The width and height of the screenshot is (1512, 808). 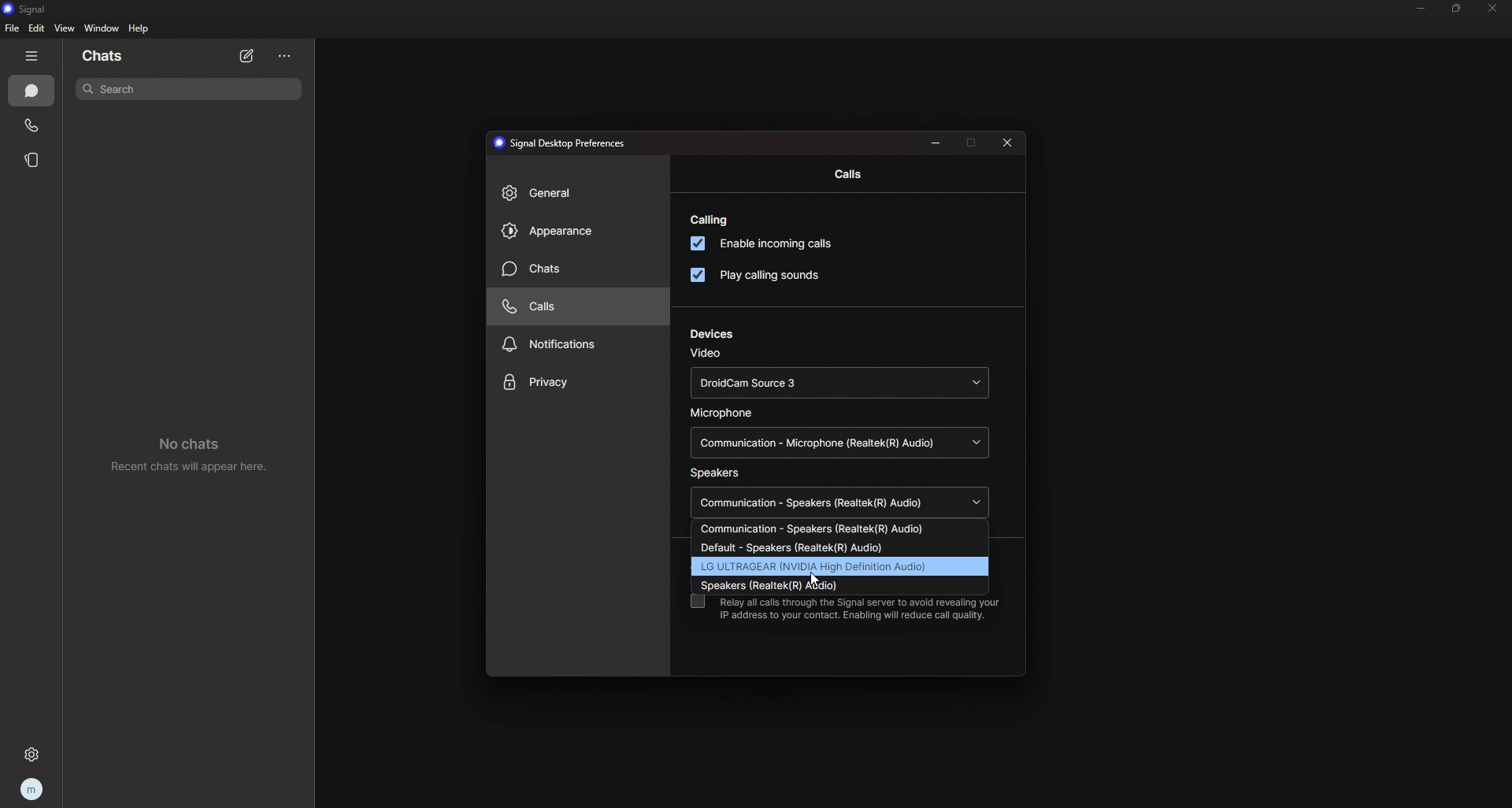 I want to click on close, so click(x=1010, y=145).